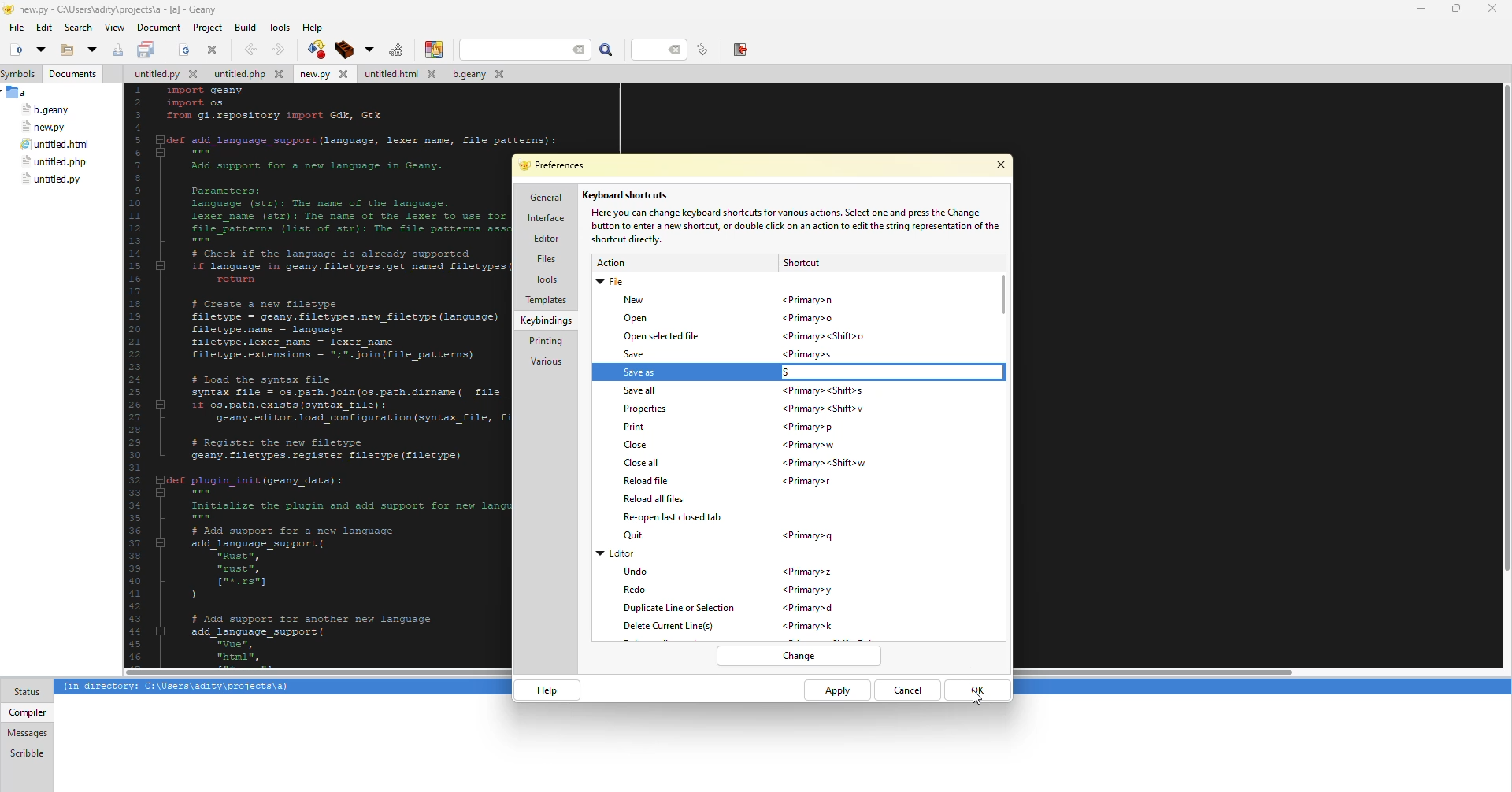 This screenshot has width=1512, height=792. What do you see at coordinates (184, 51) in the screenshot?
I see `open` at bounding box center [184, 51].